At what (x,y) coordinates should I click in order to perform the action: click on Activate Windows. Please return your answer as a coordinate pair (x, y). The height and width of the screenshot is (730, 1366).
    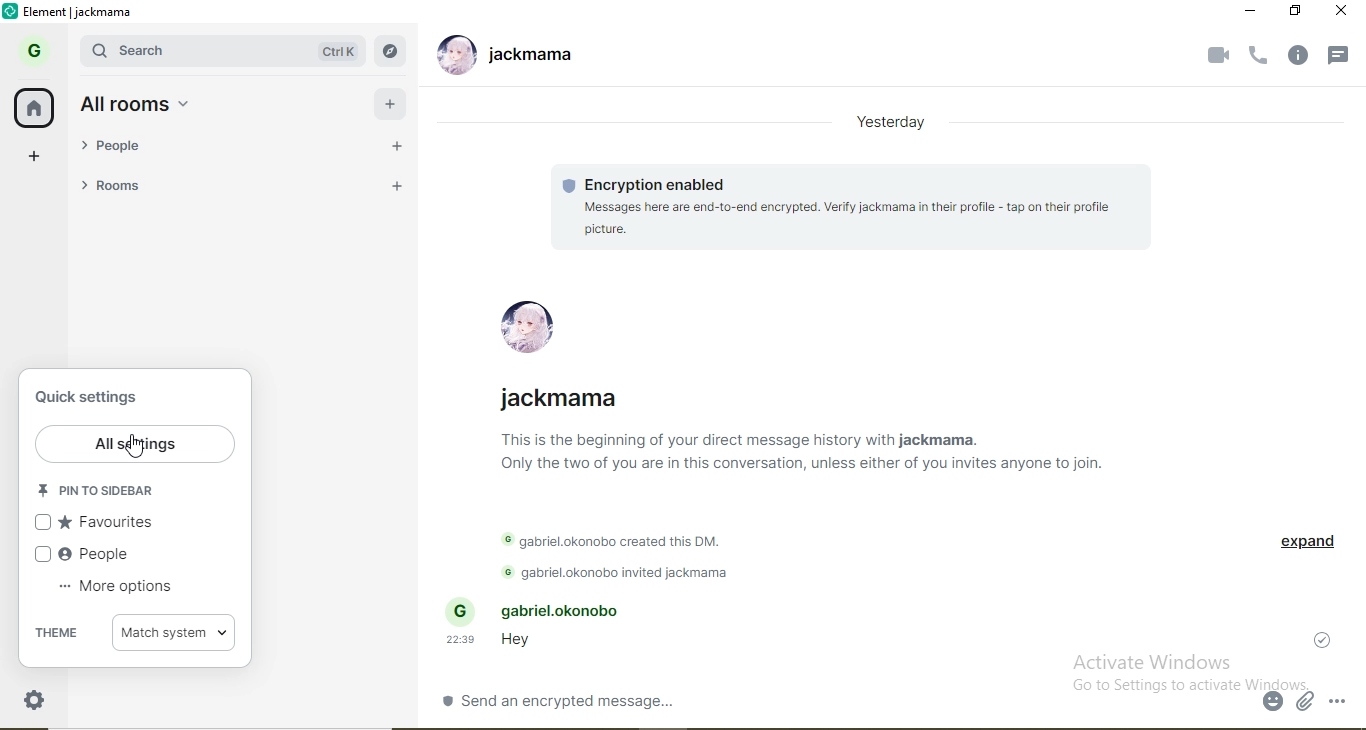
    Looking at the image, I should click on (1158, 661).